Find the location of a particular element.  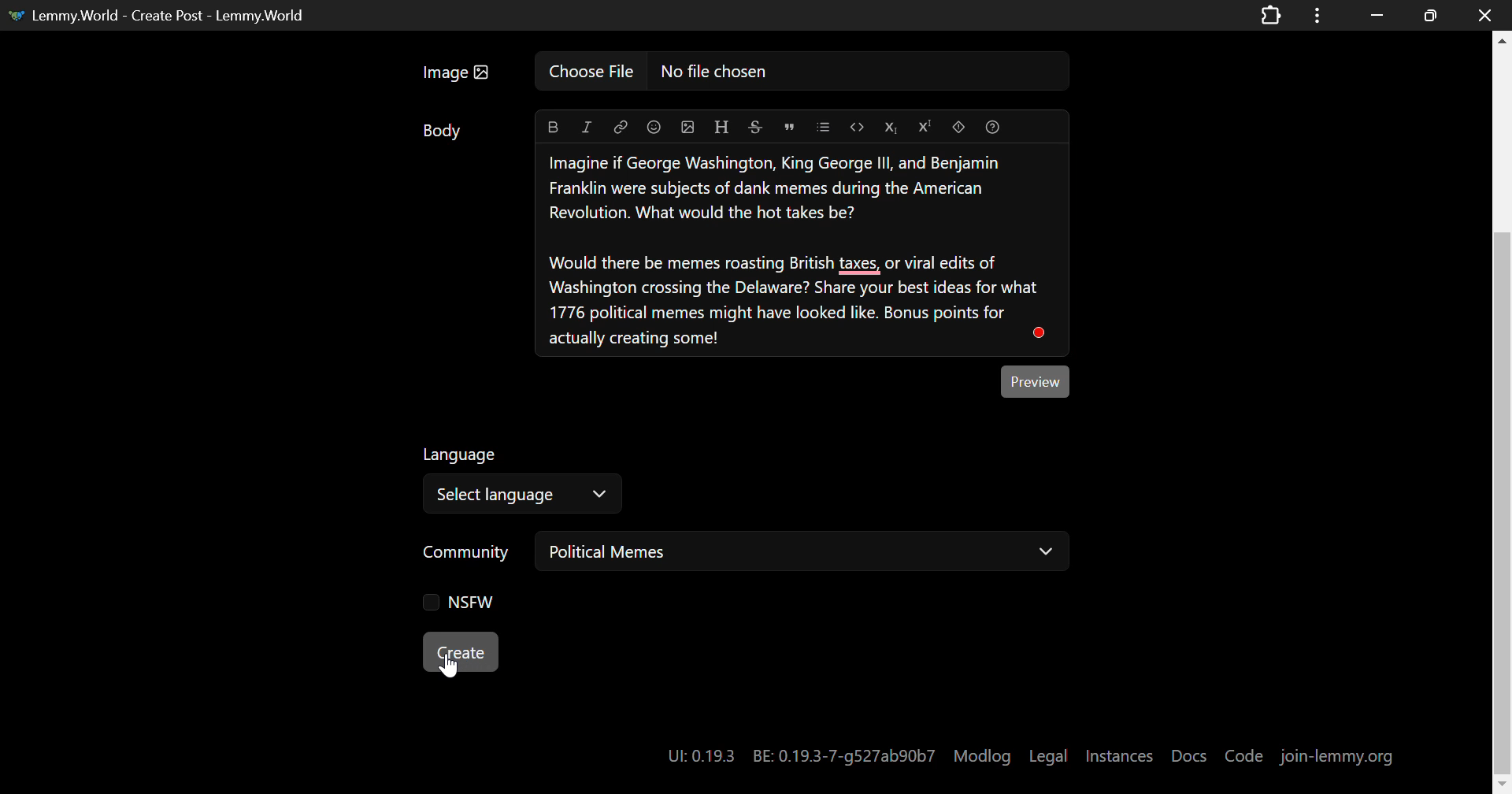

Insert Image is located at coordinates (688, 127).